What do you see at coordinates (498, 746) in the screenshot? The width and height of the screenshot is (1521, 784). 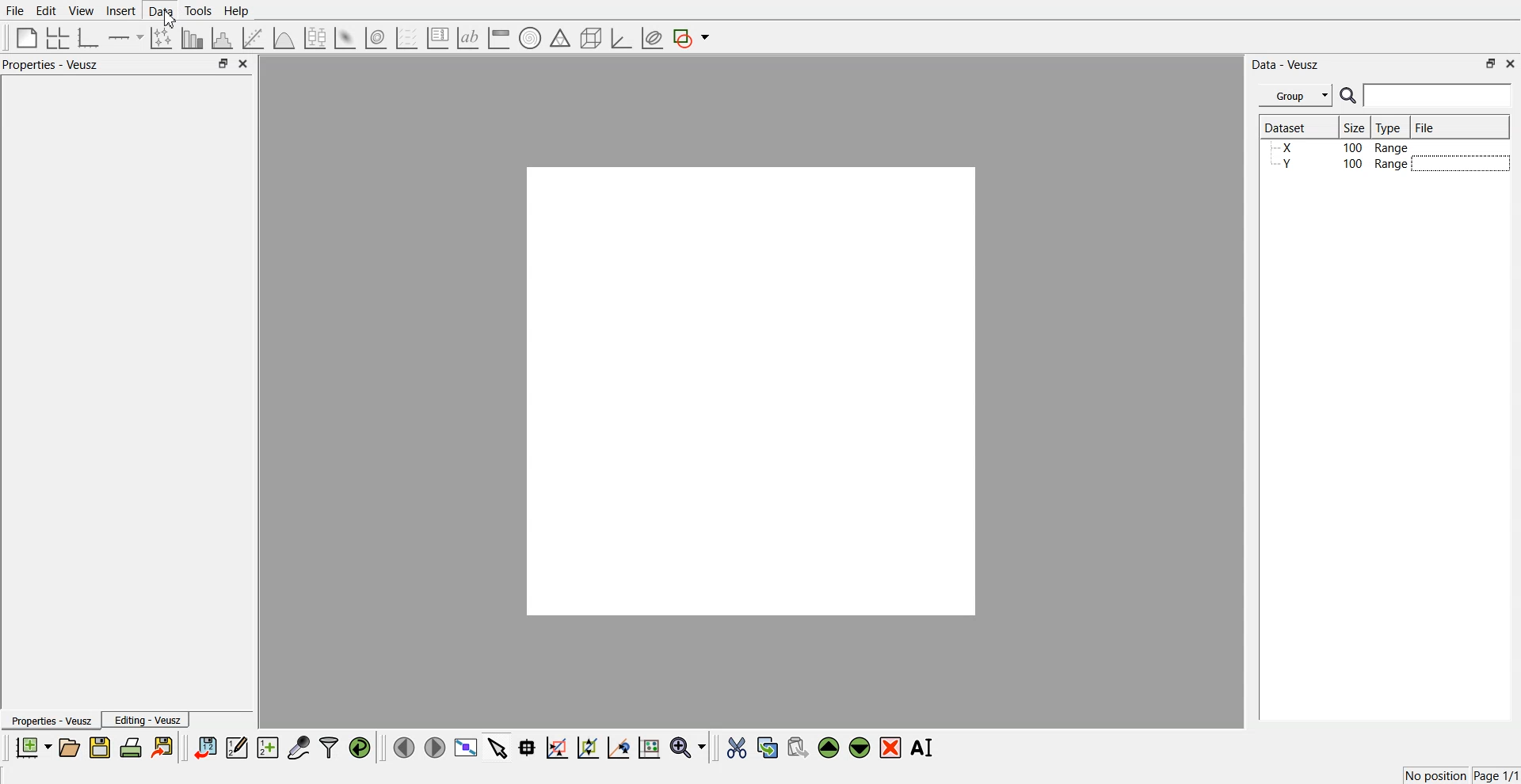 I see `Select items from graph or scroll` at bounding box center [498, 746].